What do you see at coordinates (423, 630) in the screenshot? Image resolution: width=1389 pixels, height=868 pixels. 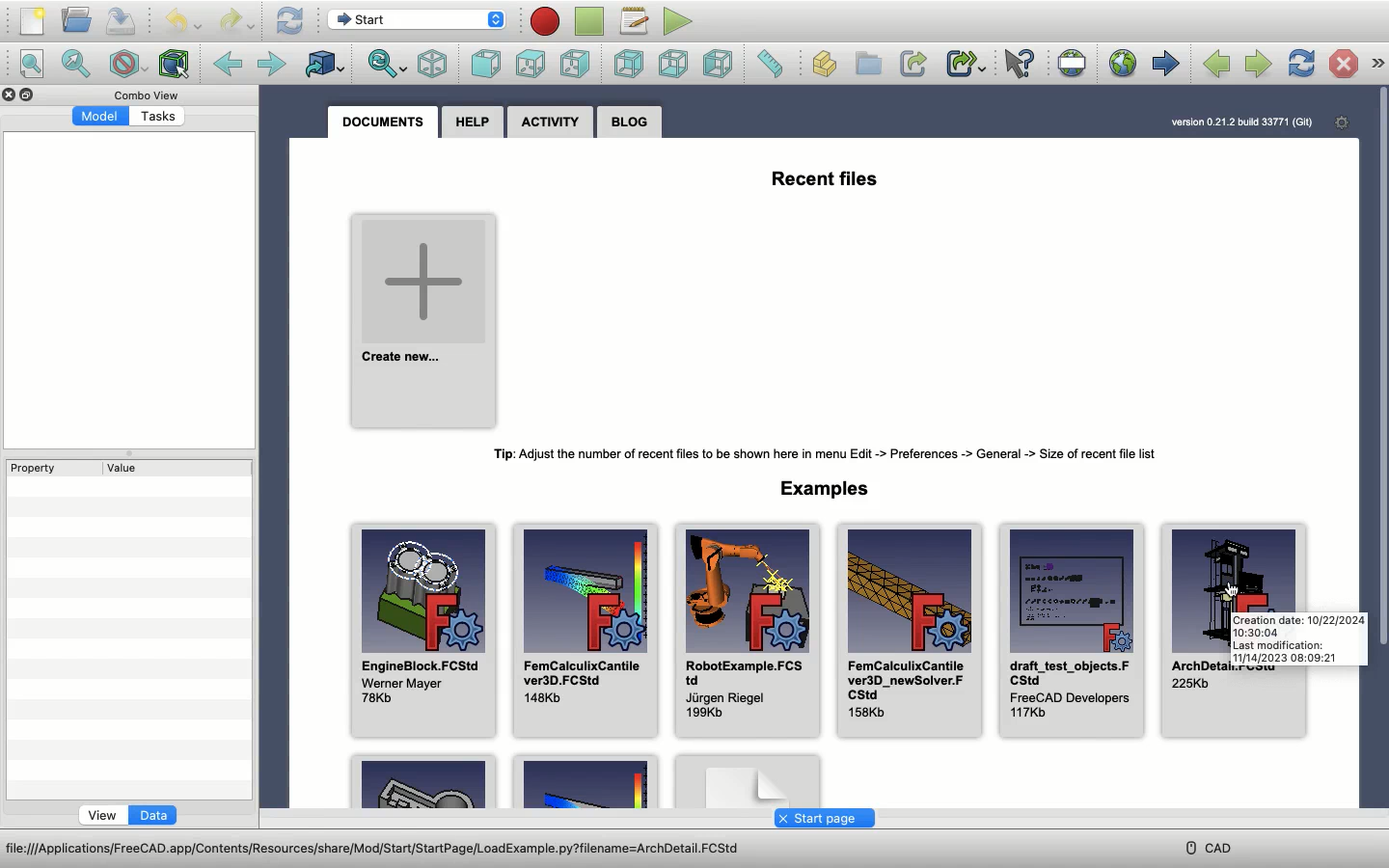 I see `EngineBlock.FCStd` at bounding box center [423, 630].